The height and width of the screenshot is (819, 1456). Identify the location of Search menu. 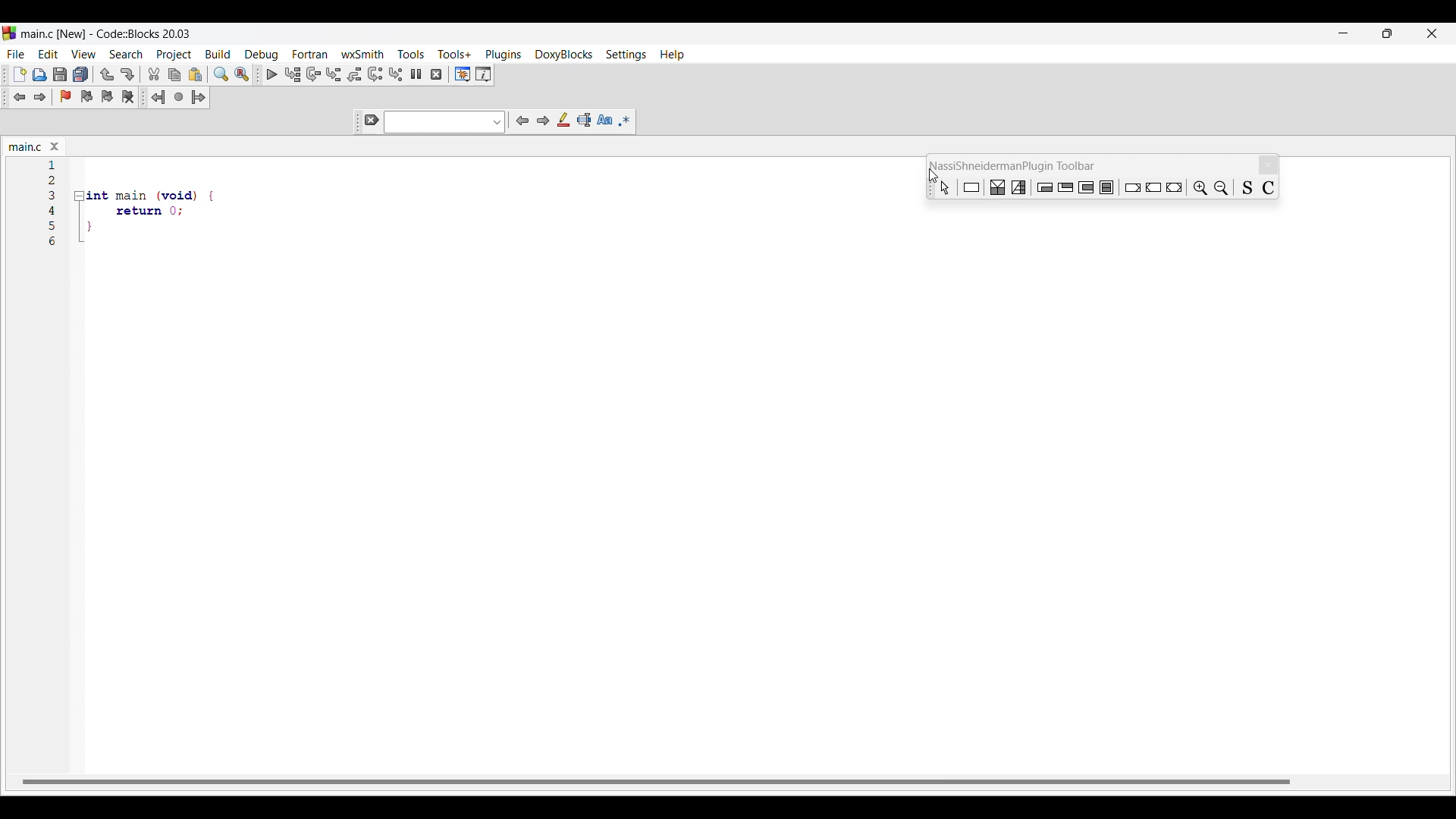
(127, 54).